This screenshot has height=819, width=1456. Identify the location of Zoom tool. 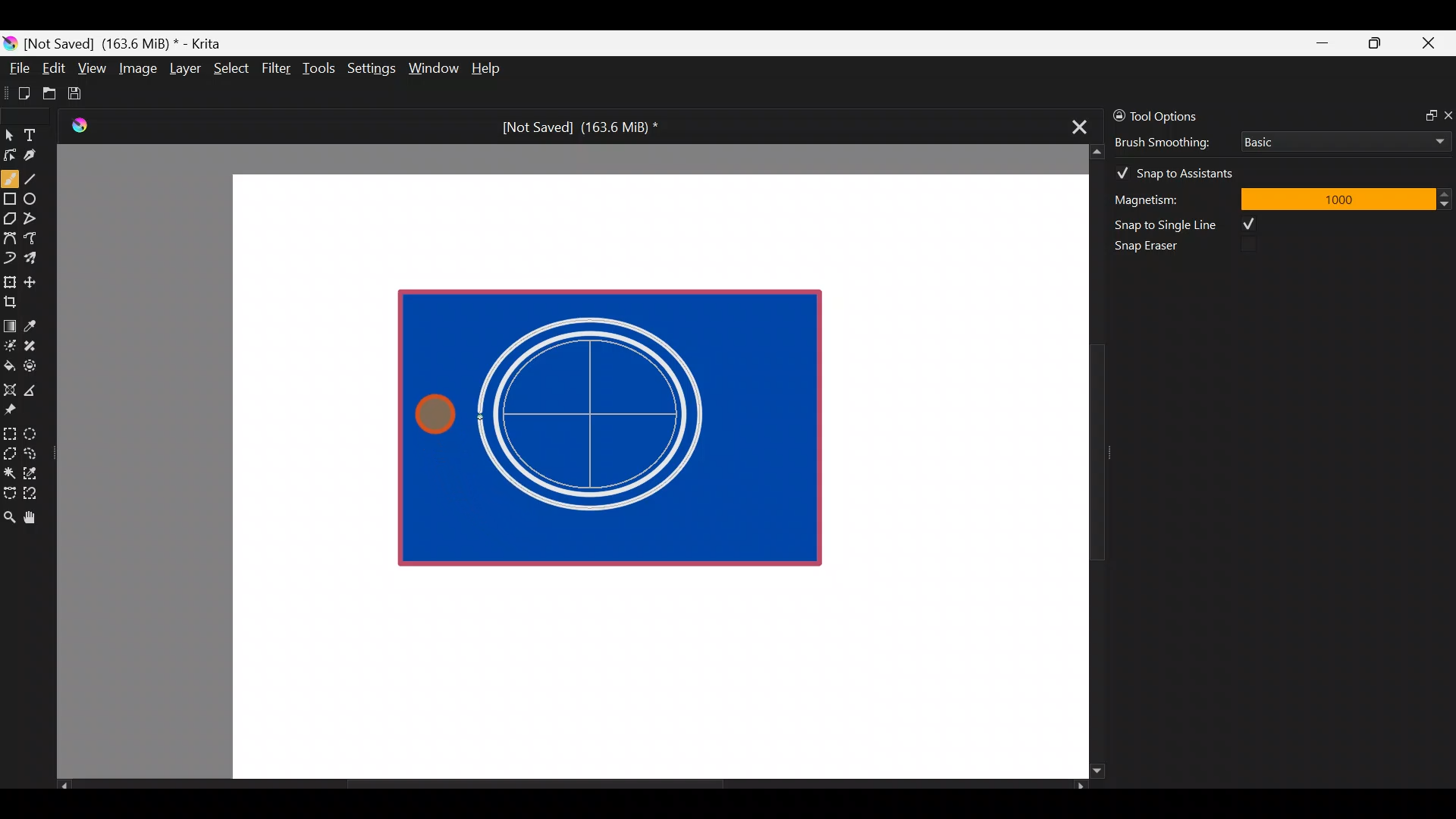
(9, 516).